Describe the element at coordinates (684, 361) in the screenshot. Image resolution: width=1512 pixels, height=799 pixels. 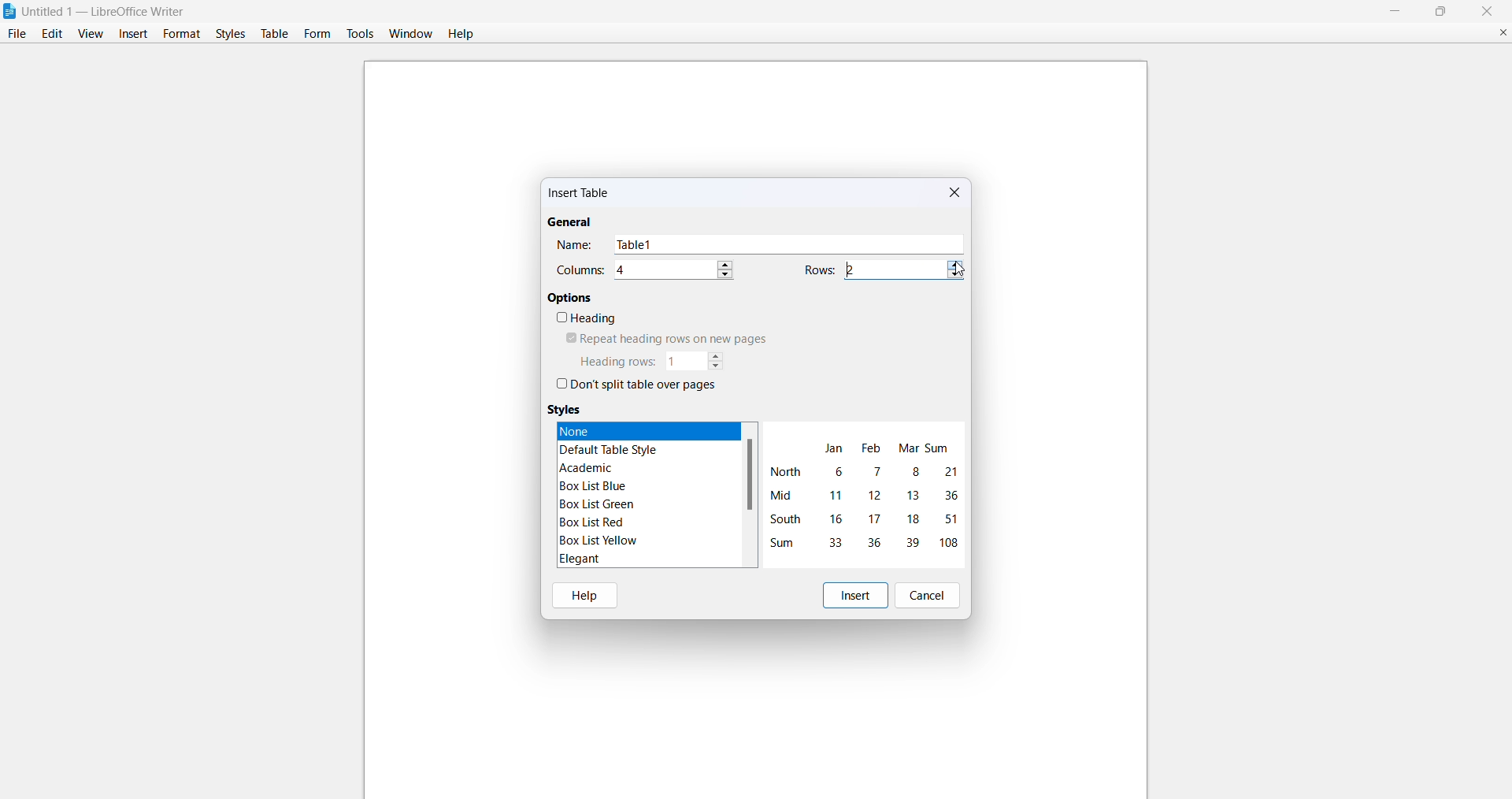
I see `number of heading rows` at that location.